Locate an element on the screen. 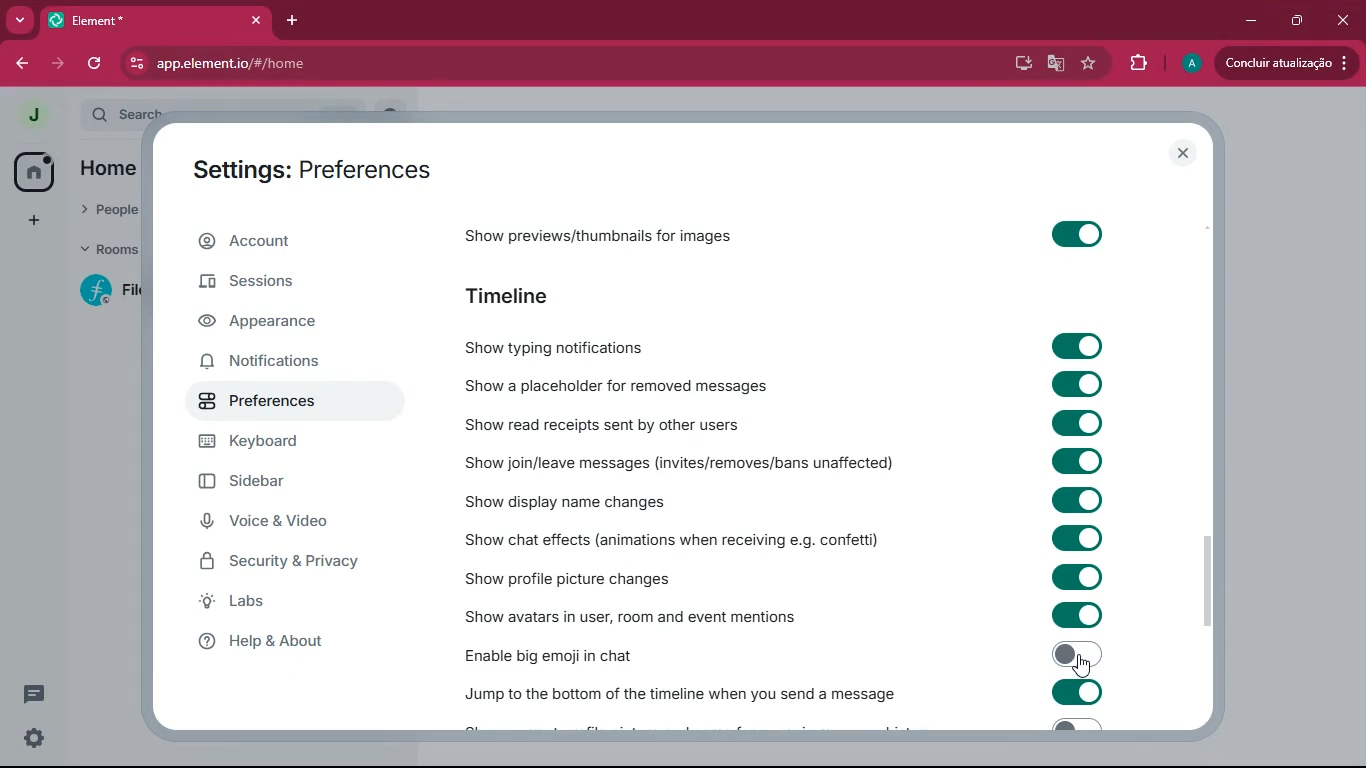 The width and height of the screenshot is (1366, 768). minimize is located at coordinates (1251, 18).